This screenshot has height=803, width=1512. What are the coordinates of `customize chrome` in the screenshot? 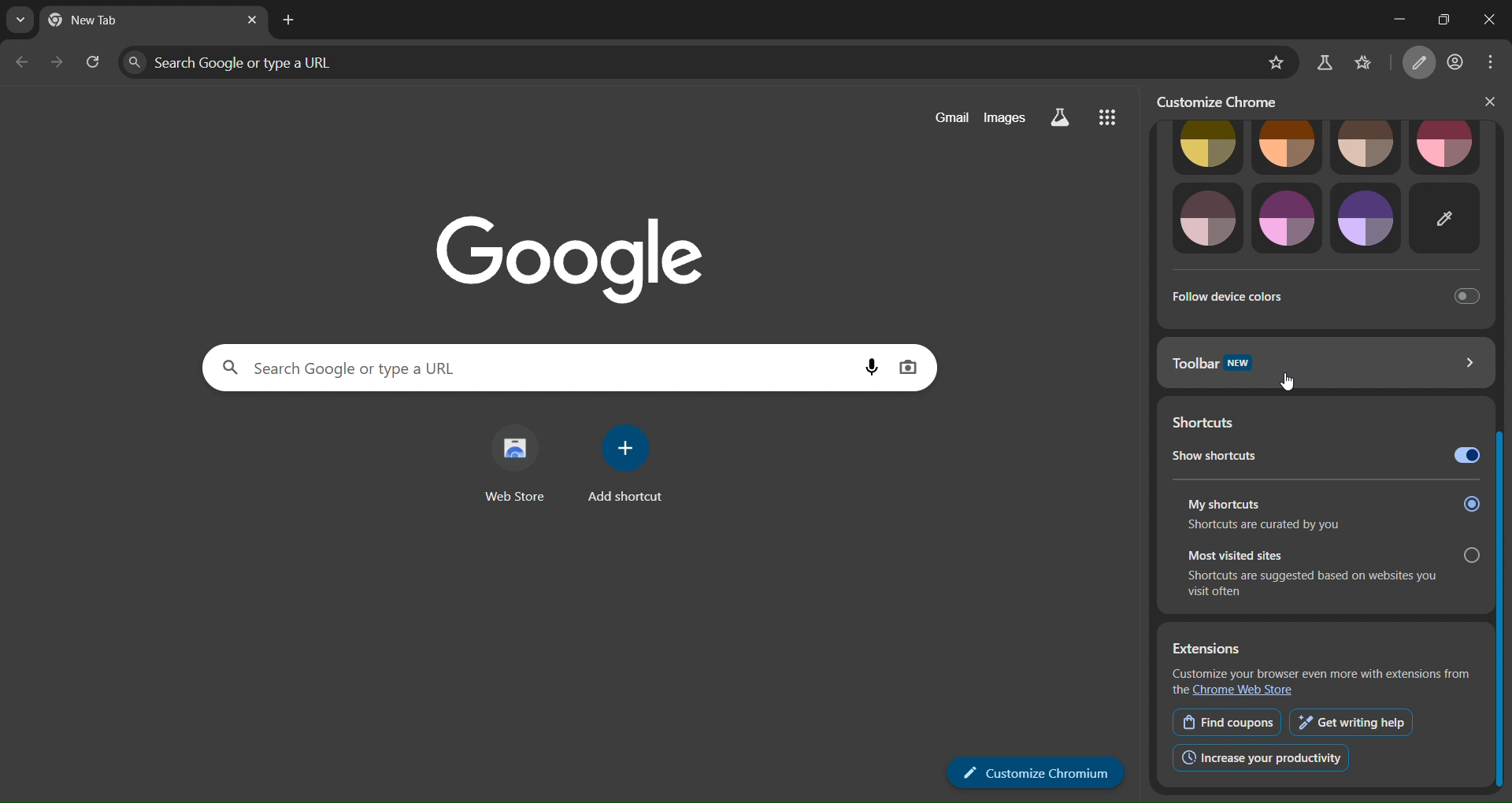 It's located at (1228, 101).